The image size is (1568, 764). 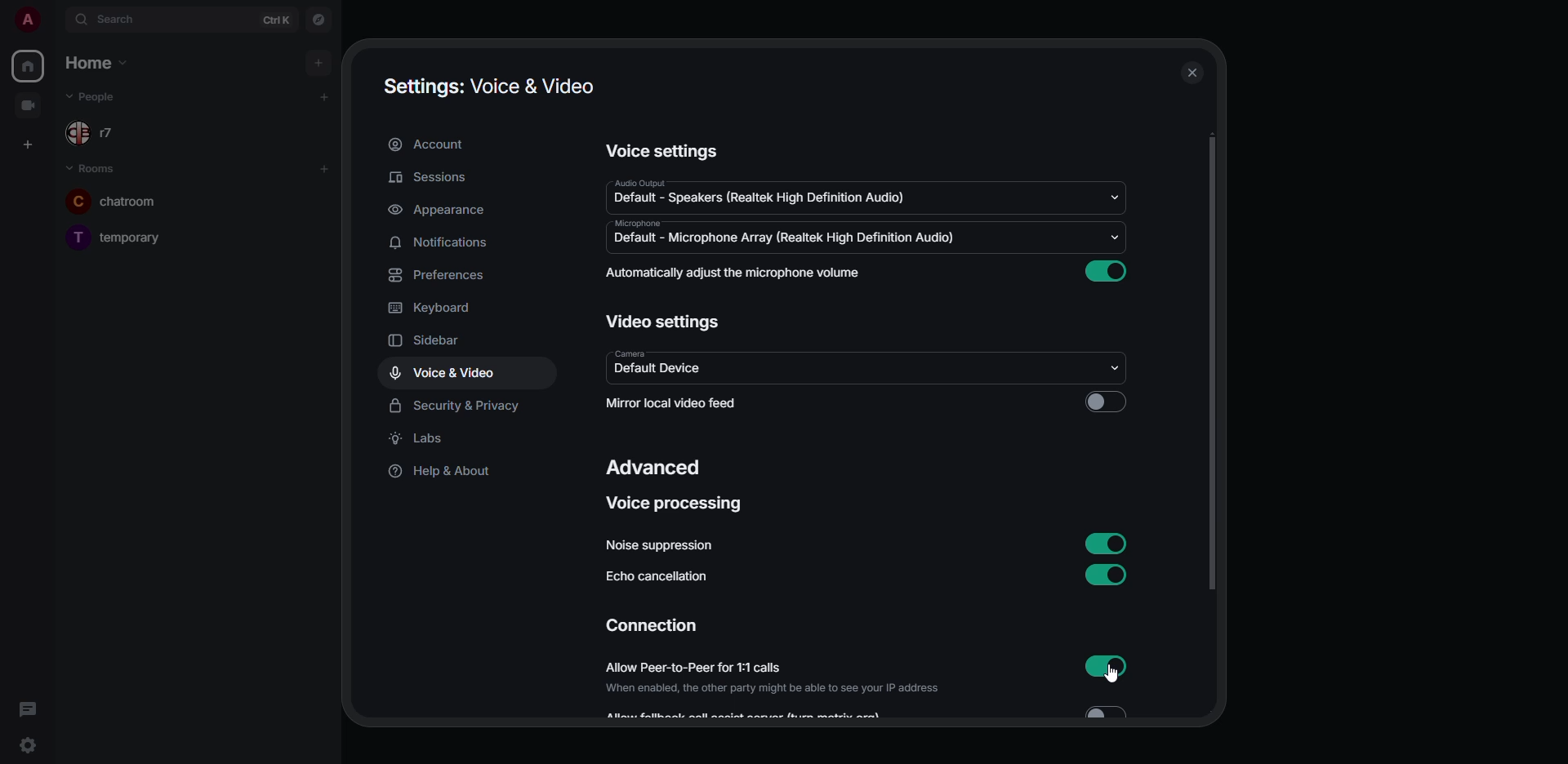 What do you see at coordinates (655, 369) in the screenshot?
I see `default` at bounding box center [655, 369].